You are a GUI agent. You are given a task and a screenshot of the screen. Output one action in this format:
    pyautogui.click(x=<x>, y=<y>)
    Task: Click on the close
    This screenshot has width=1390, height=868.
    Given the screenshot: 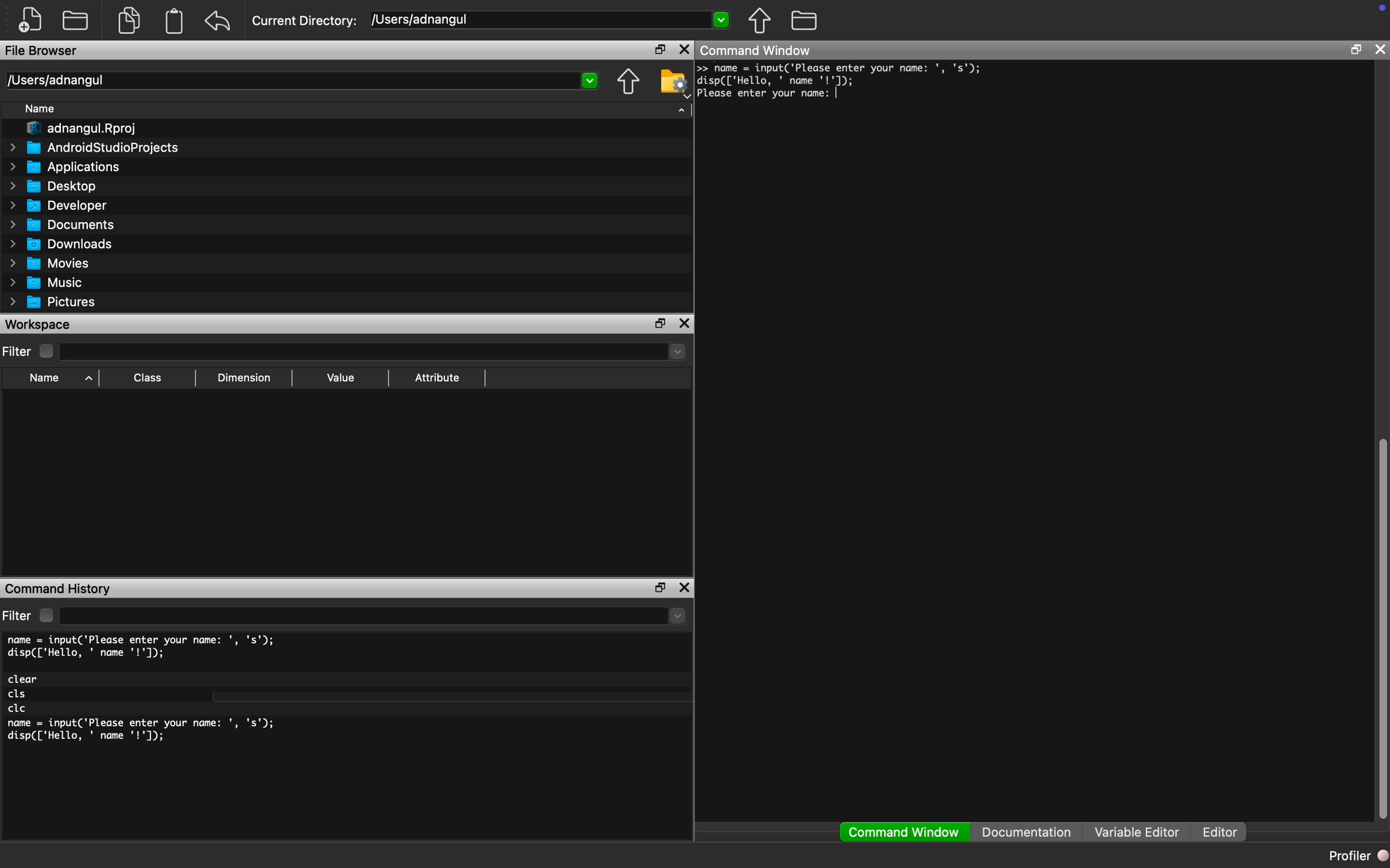 What is the action you would take?
    pyautogui.click(x=686, y=49)
    